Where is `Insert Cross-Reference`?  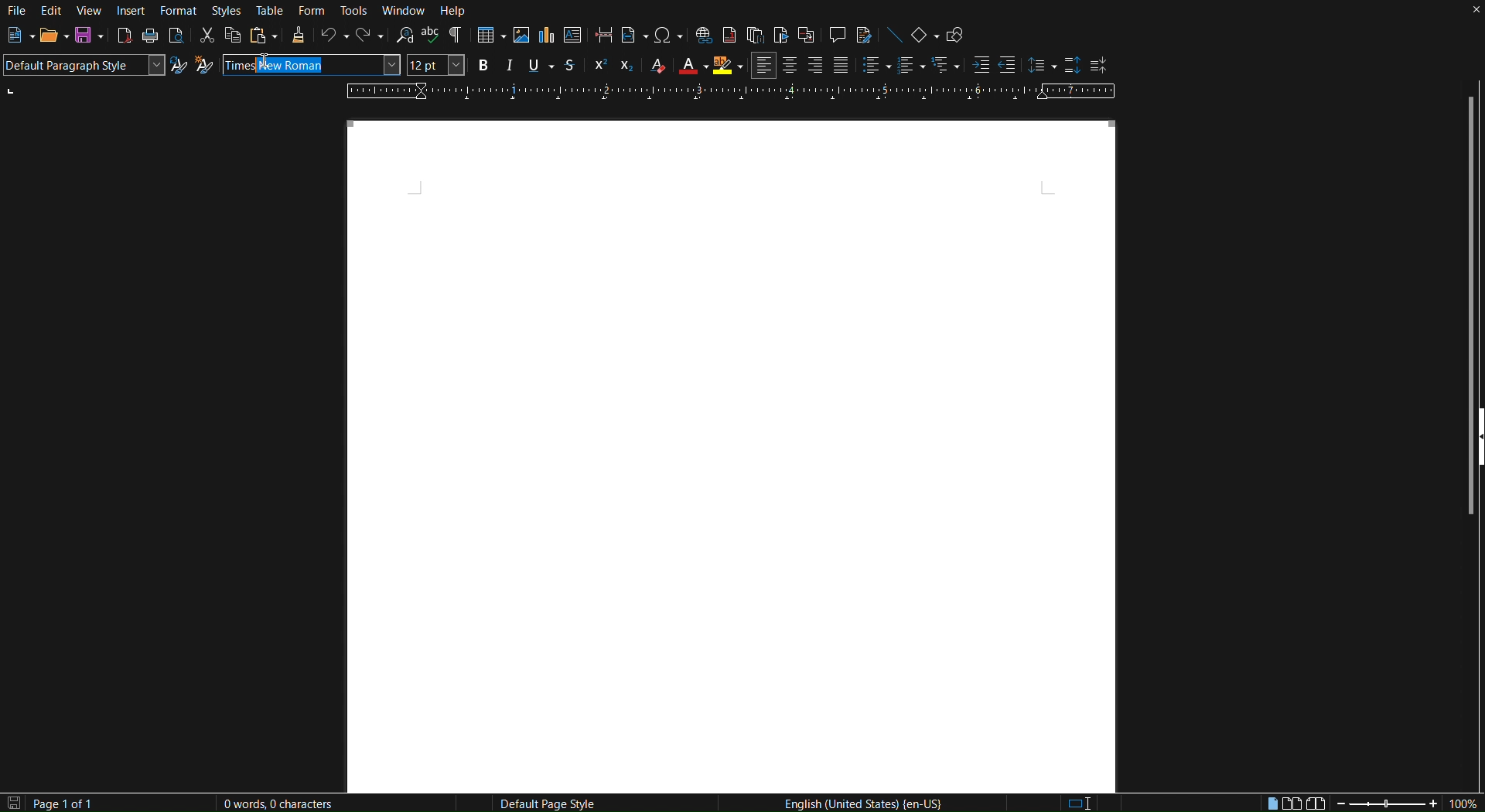 Insert Cross-Reference is located at coordinates (807, 37).